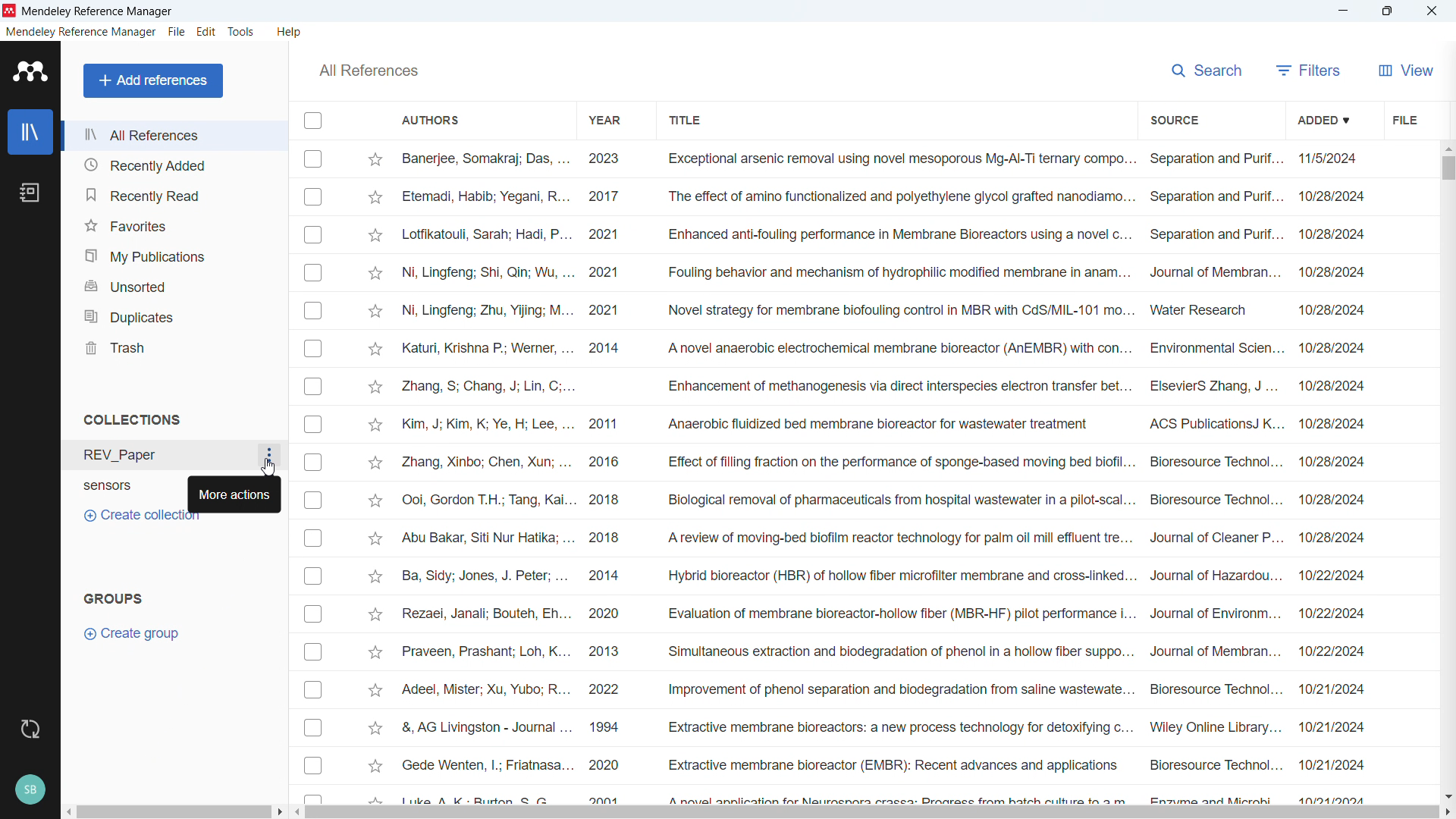 The image size is (1456, 819). What do you see at coordinates (31, 790) in the screenshot?
I see `Current Profile` at bounding box center [31, 790].